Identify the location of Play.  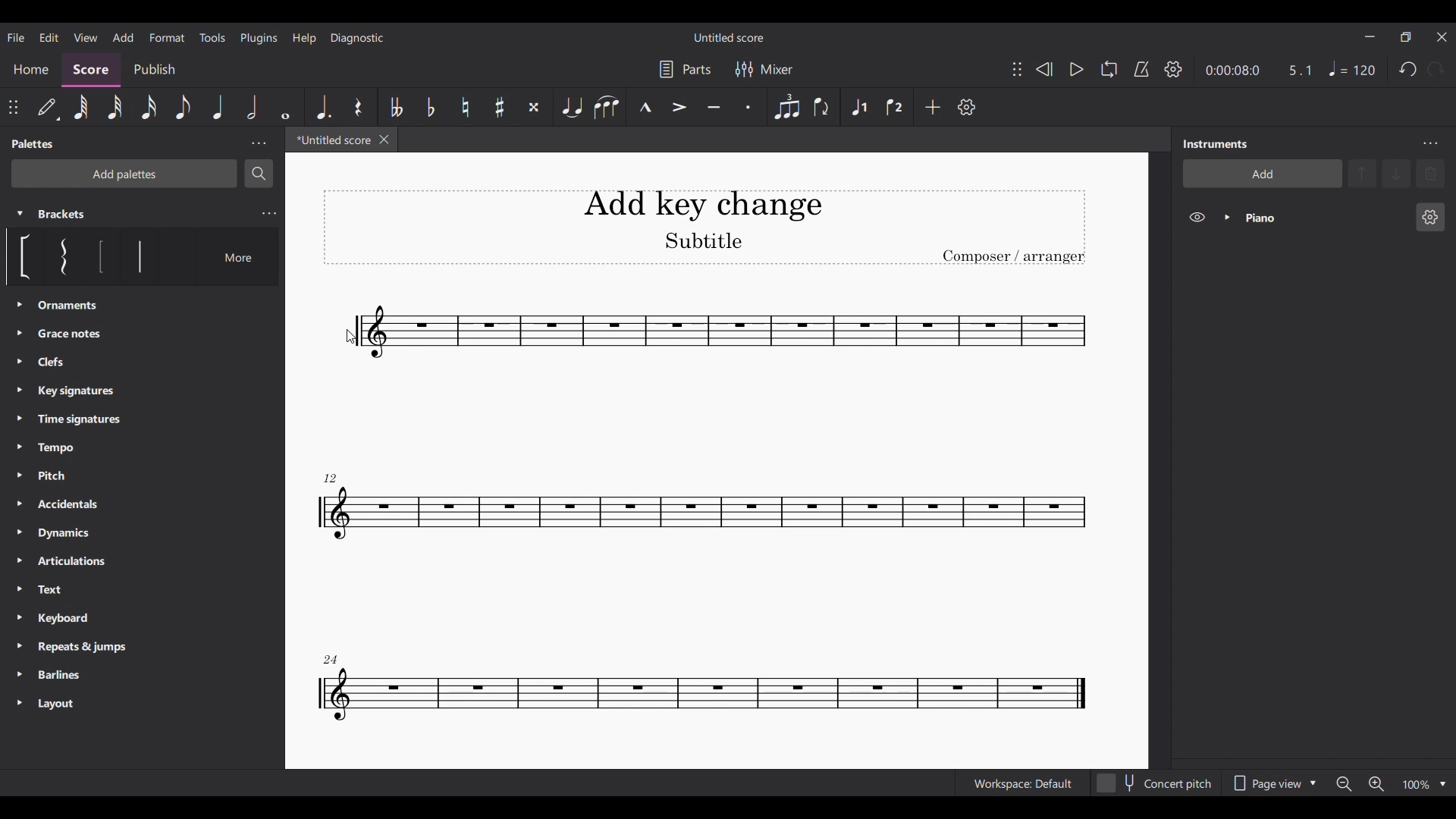
(1077, 69).